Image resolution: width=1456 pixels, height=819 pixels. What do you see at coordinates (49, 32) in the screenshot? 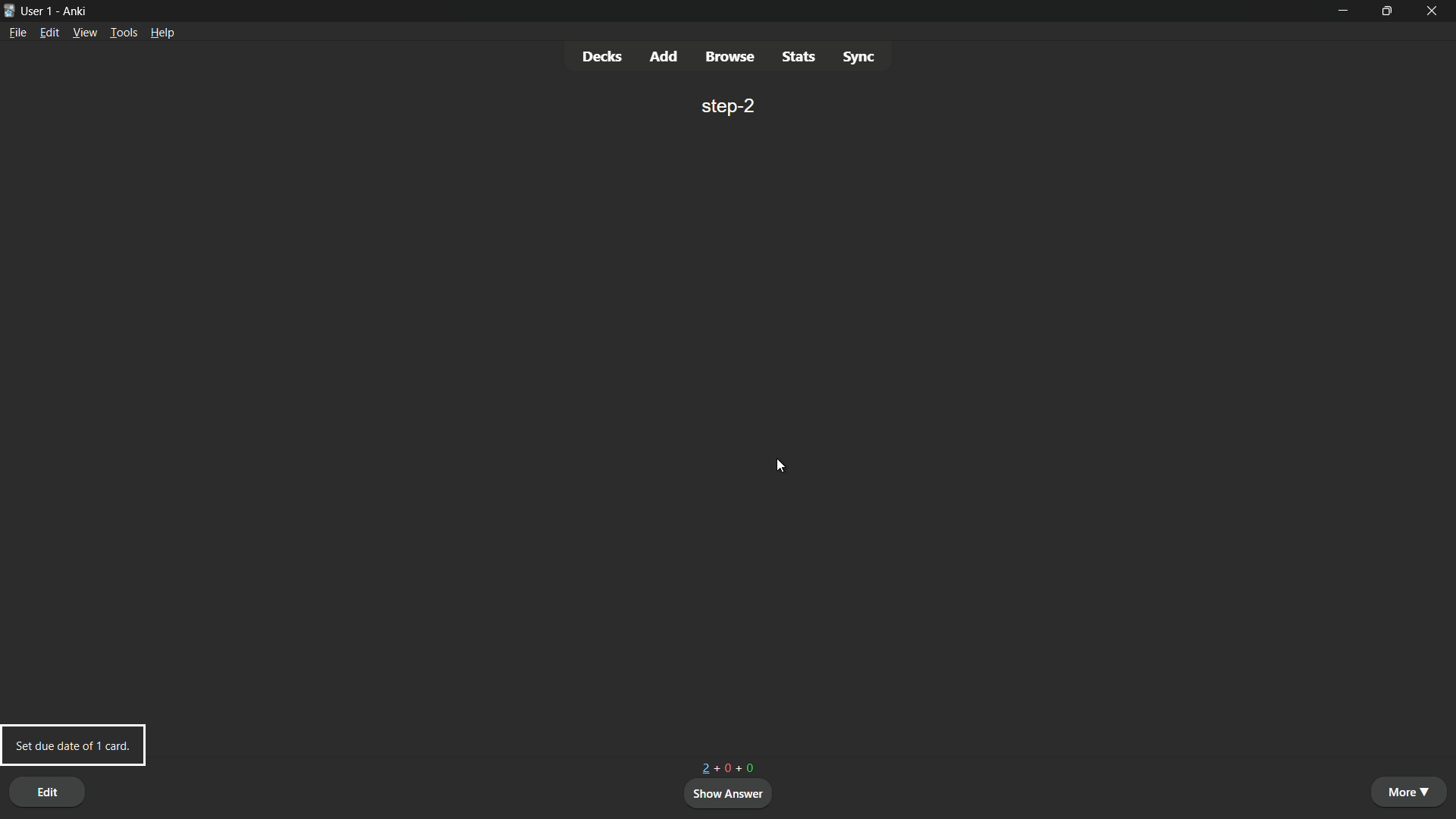
I see `edit menu` at bounding box center [49, 32].